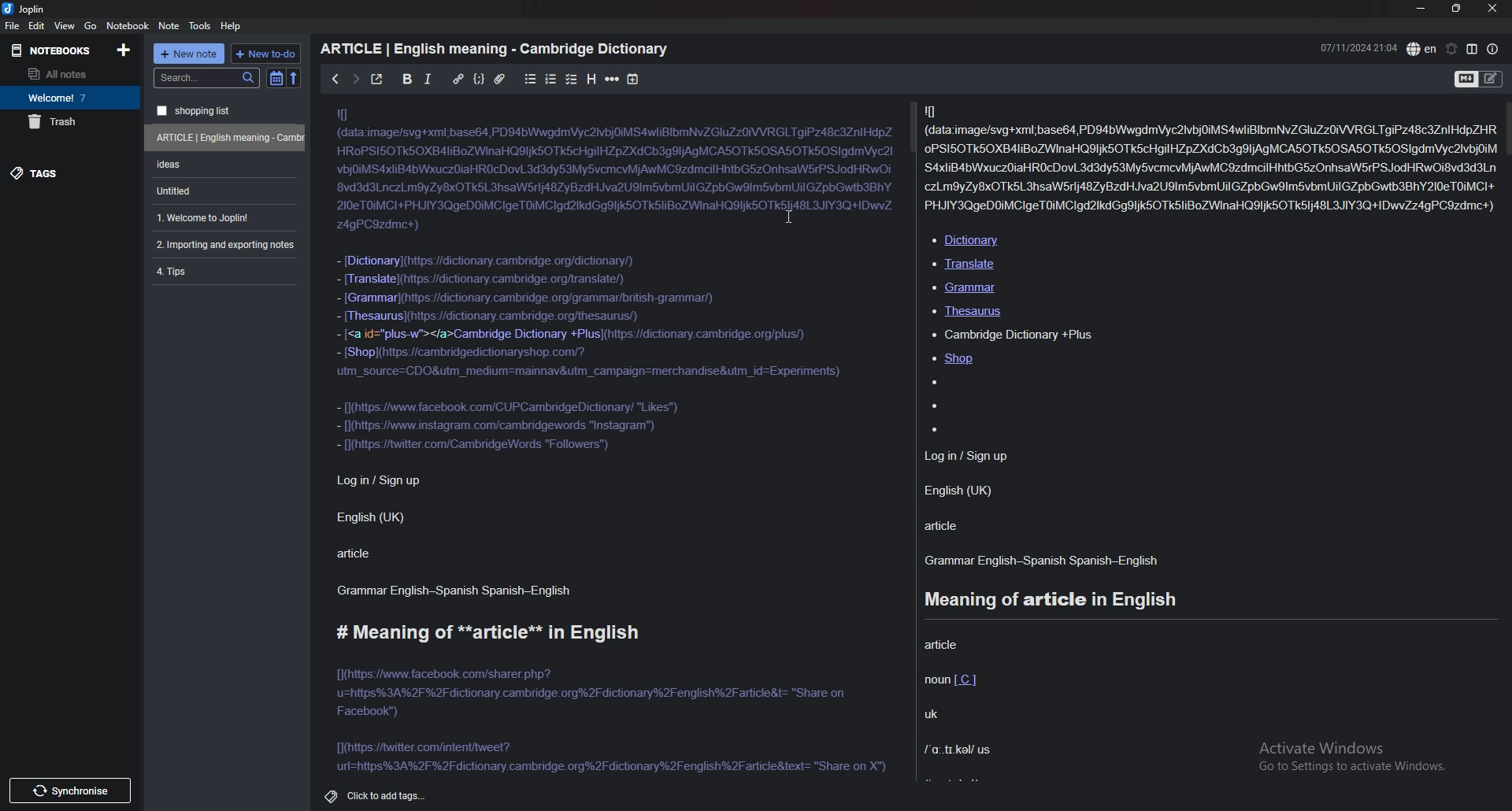 This screenshot has height=811, width=1512. What do you see at coordinates (70, 98) in the screenshot?
I see `notebook` at bounding box center [70, 98].